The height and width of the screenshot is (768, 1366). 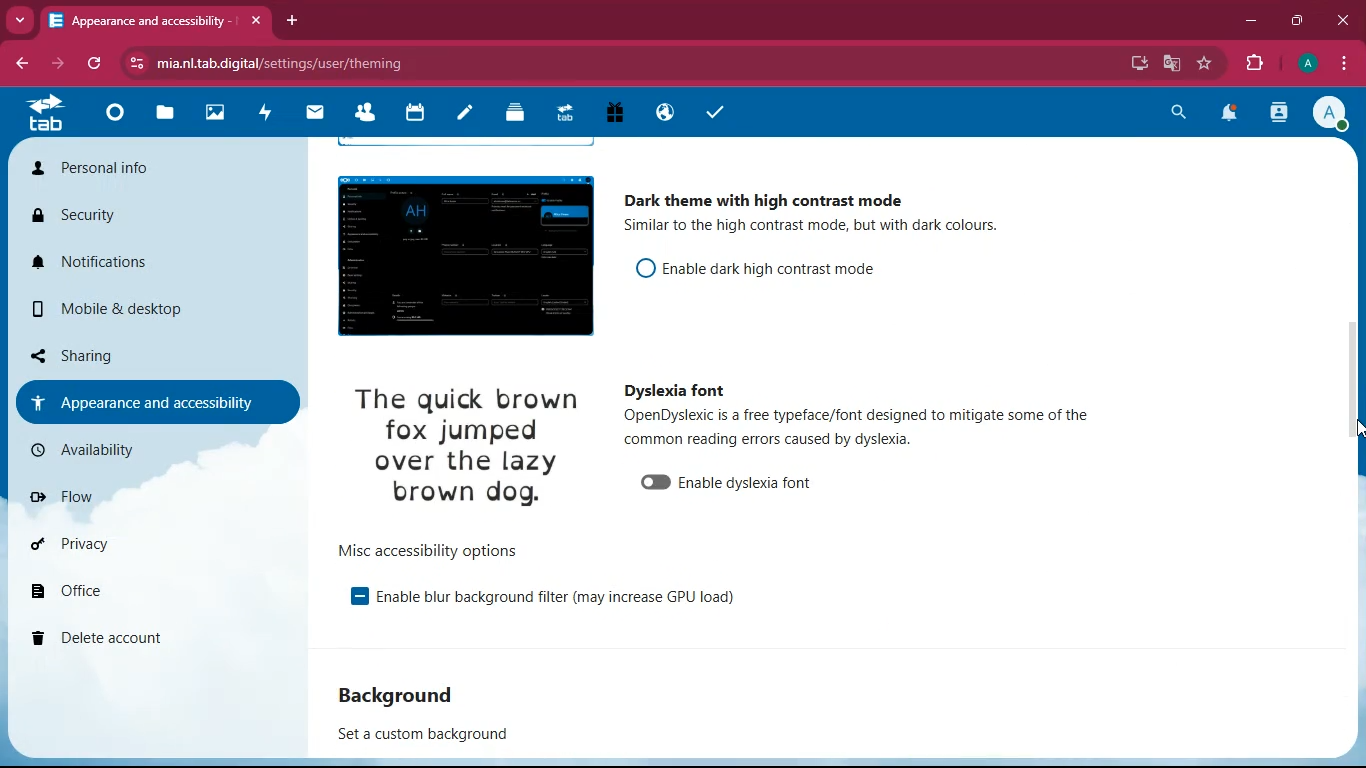 What do you see at coordinates (1248, 20) in the screenshot?
I see `minimize` at bounding box center [1248, 20].